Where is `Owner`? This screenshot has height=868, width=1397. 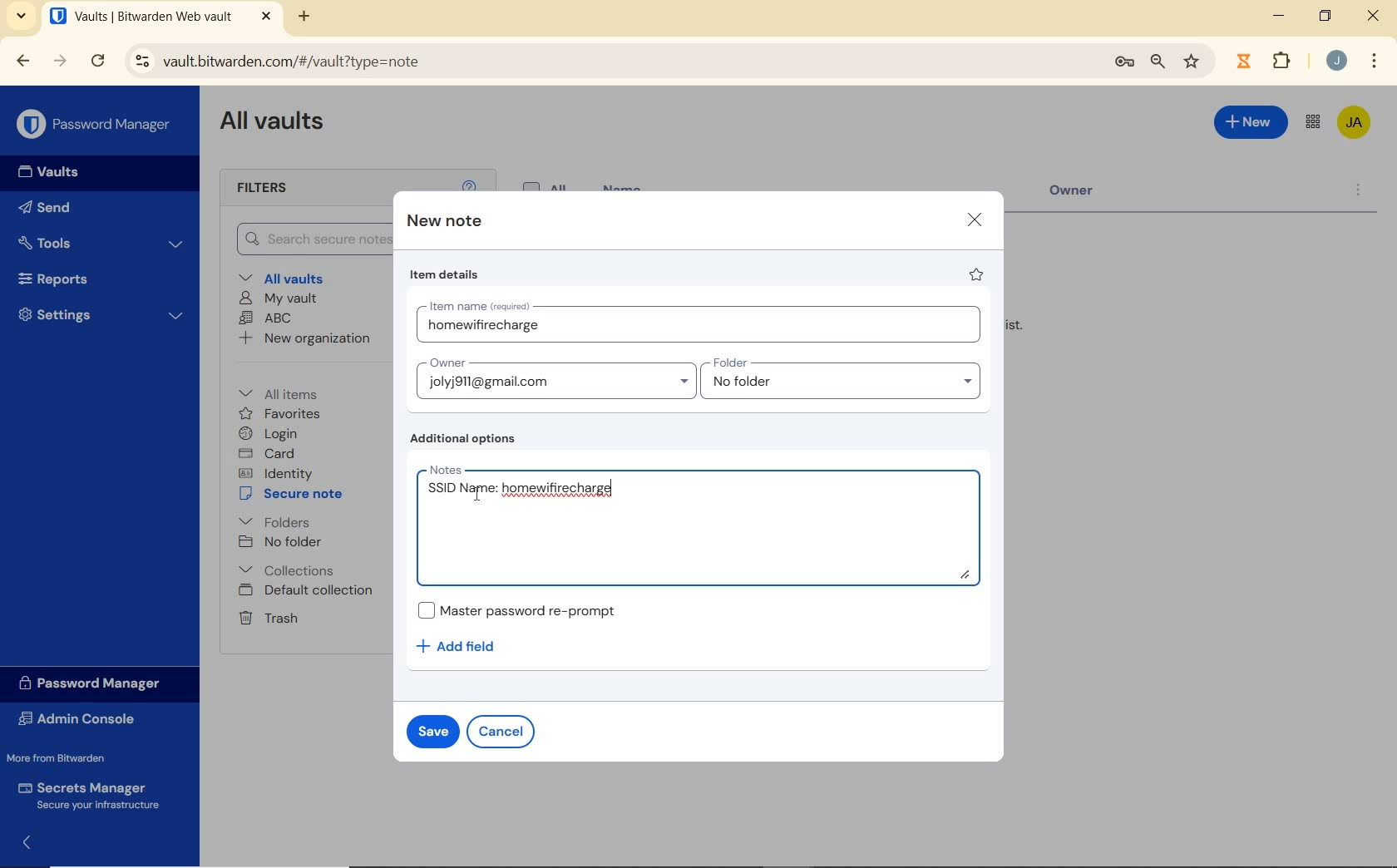 Owner is located at coordinates (1085, 195).